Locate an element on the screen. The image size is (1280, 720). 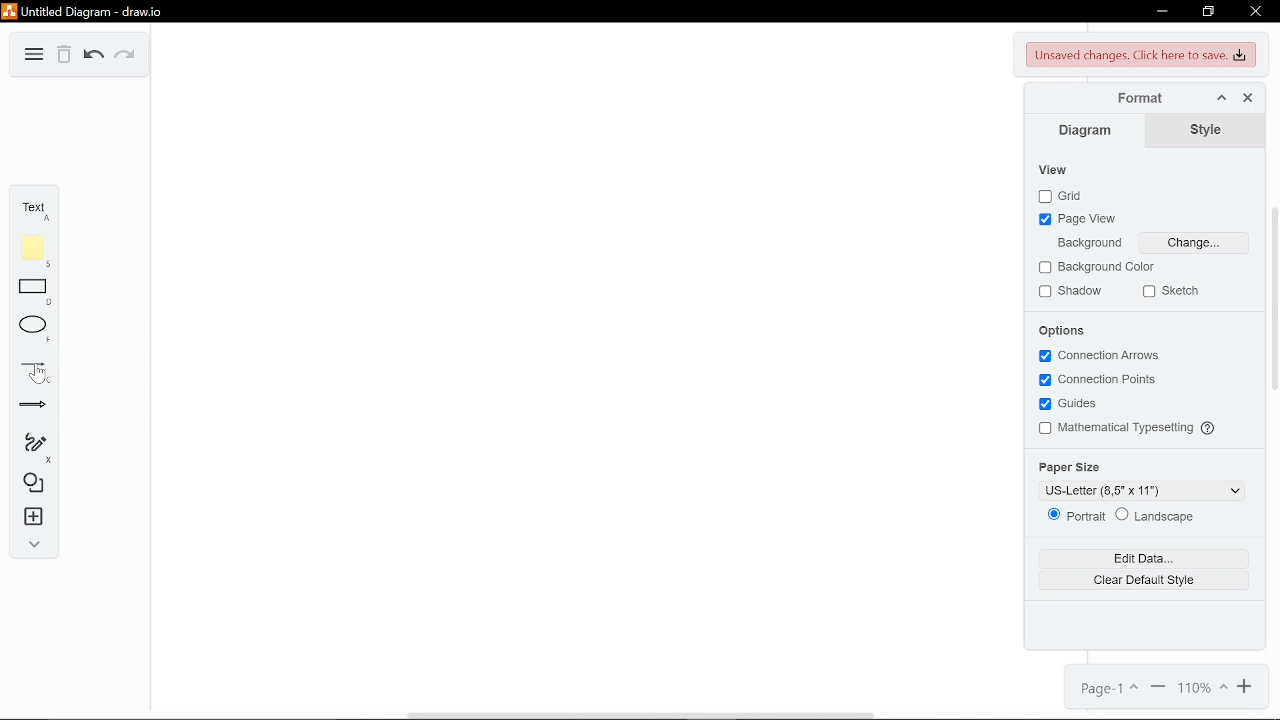
Current zoom is located at coordinates (1205, 688).